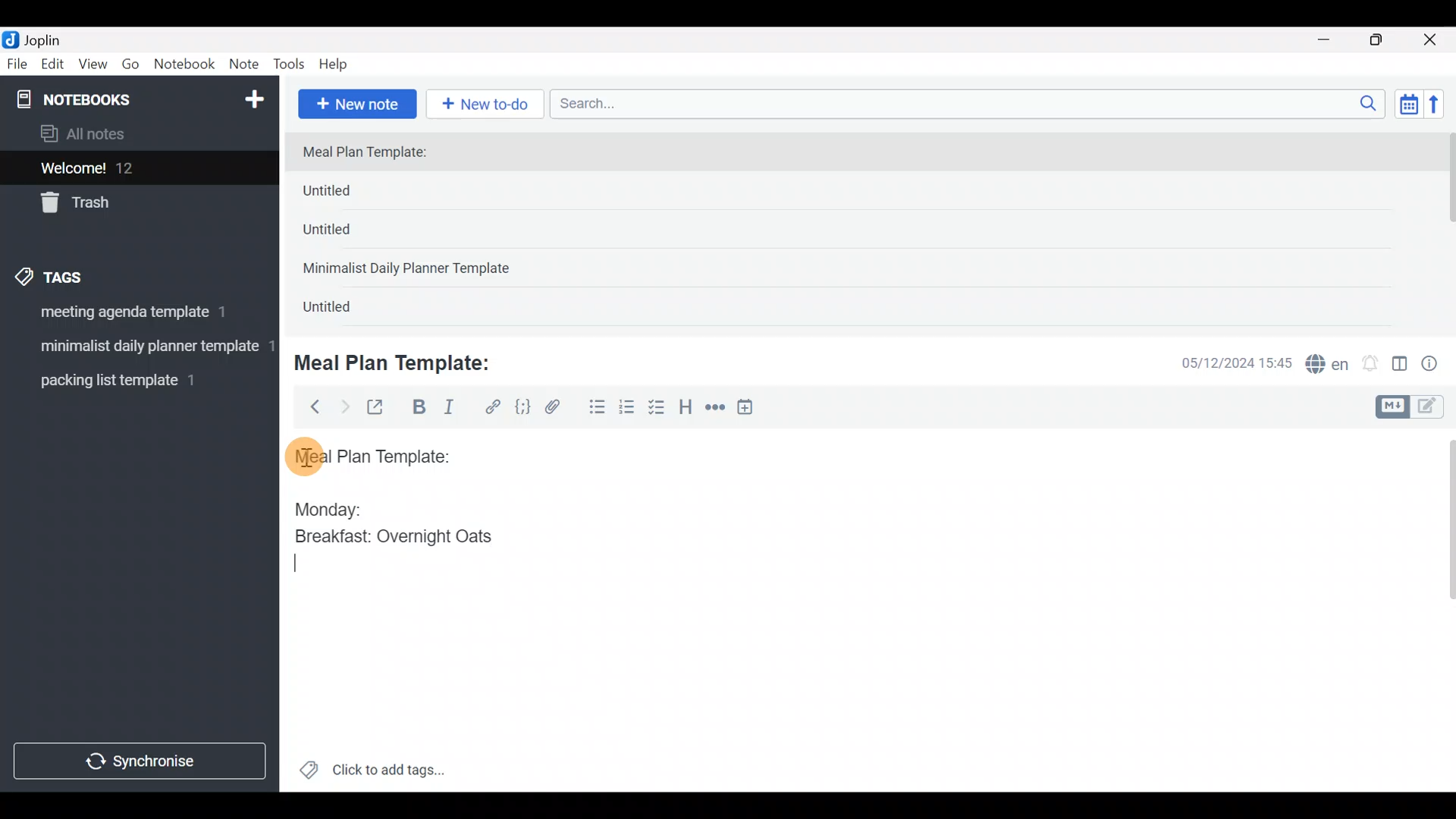 Image resolution: width=1456 pixels, height=819 pixels. Describe the element at coordinates (306, 564) in the screenshot. I see `text Cursor` at that location.